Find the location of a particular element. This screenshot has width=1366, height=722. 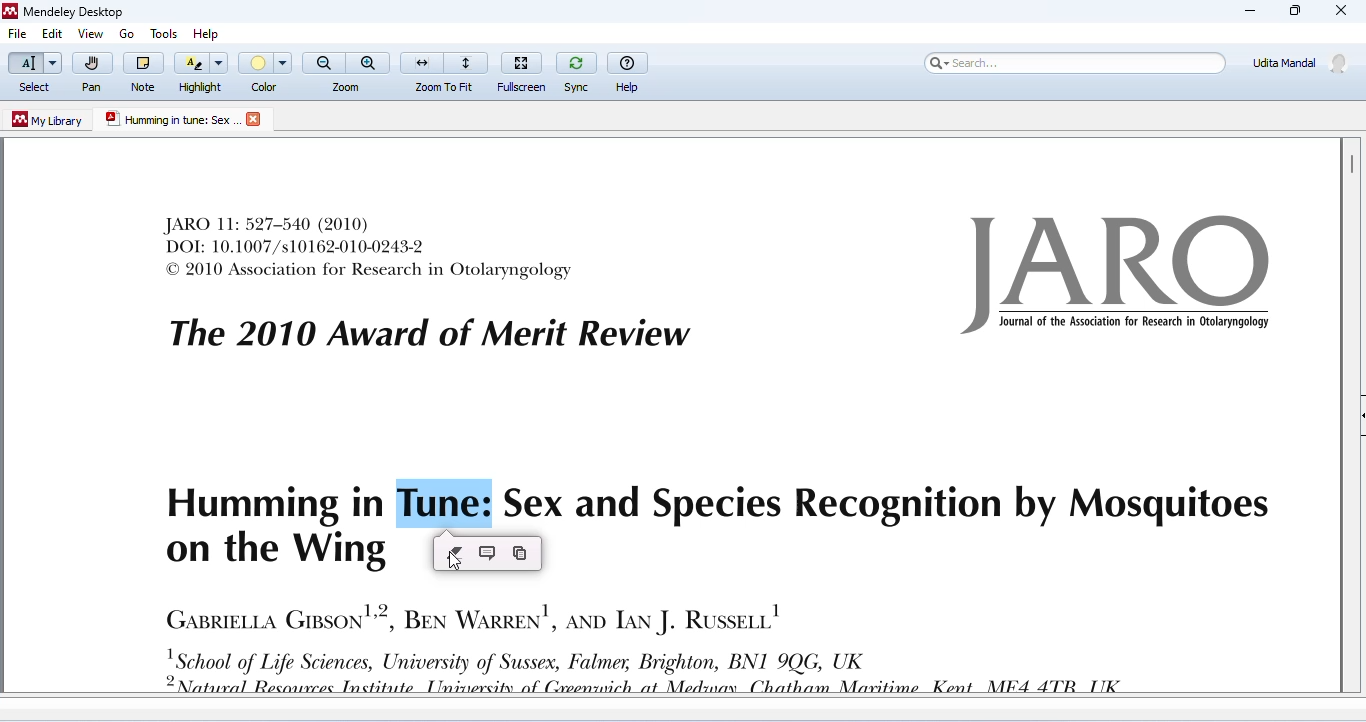

Text cursor is located at coordinates (406, 509).